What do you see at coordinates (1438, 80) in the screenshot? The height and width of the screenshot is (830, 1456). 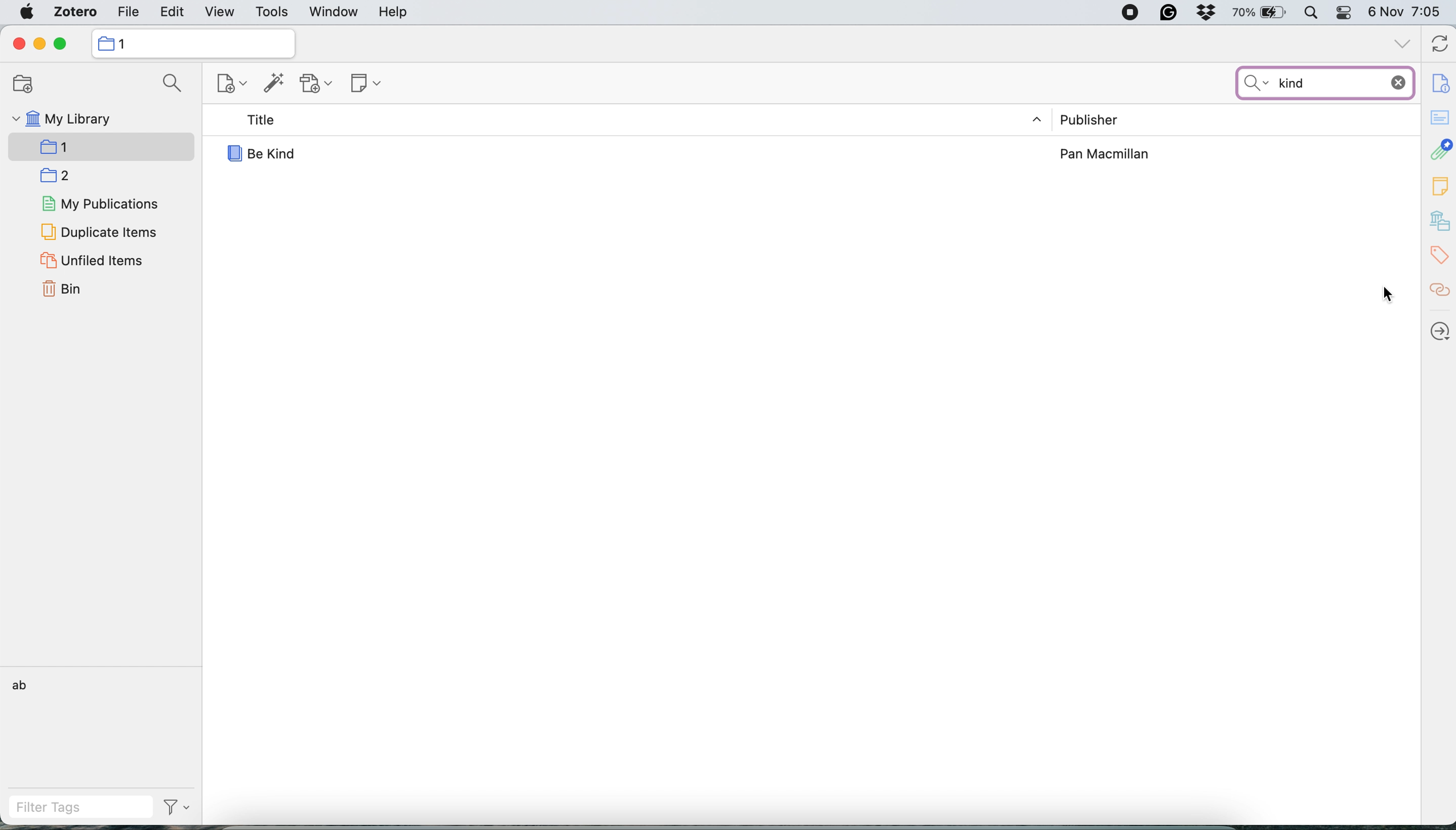 I see `item info` at bounding box center [1438, 80].